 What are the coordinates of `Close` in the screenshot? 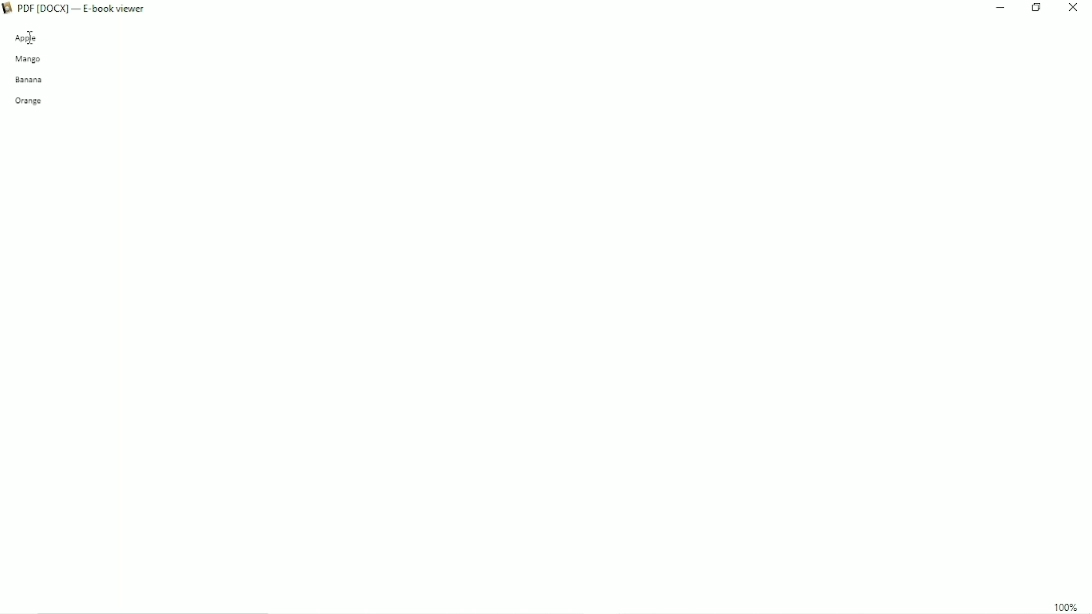 It's located at (1074, 9).